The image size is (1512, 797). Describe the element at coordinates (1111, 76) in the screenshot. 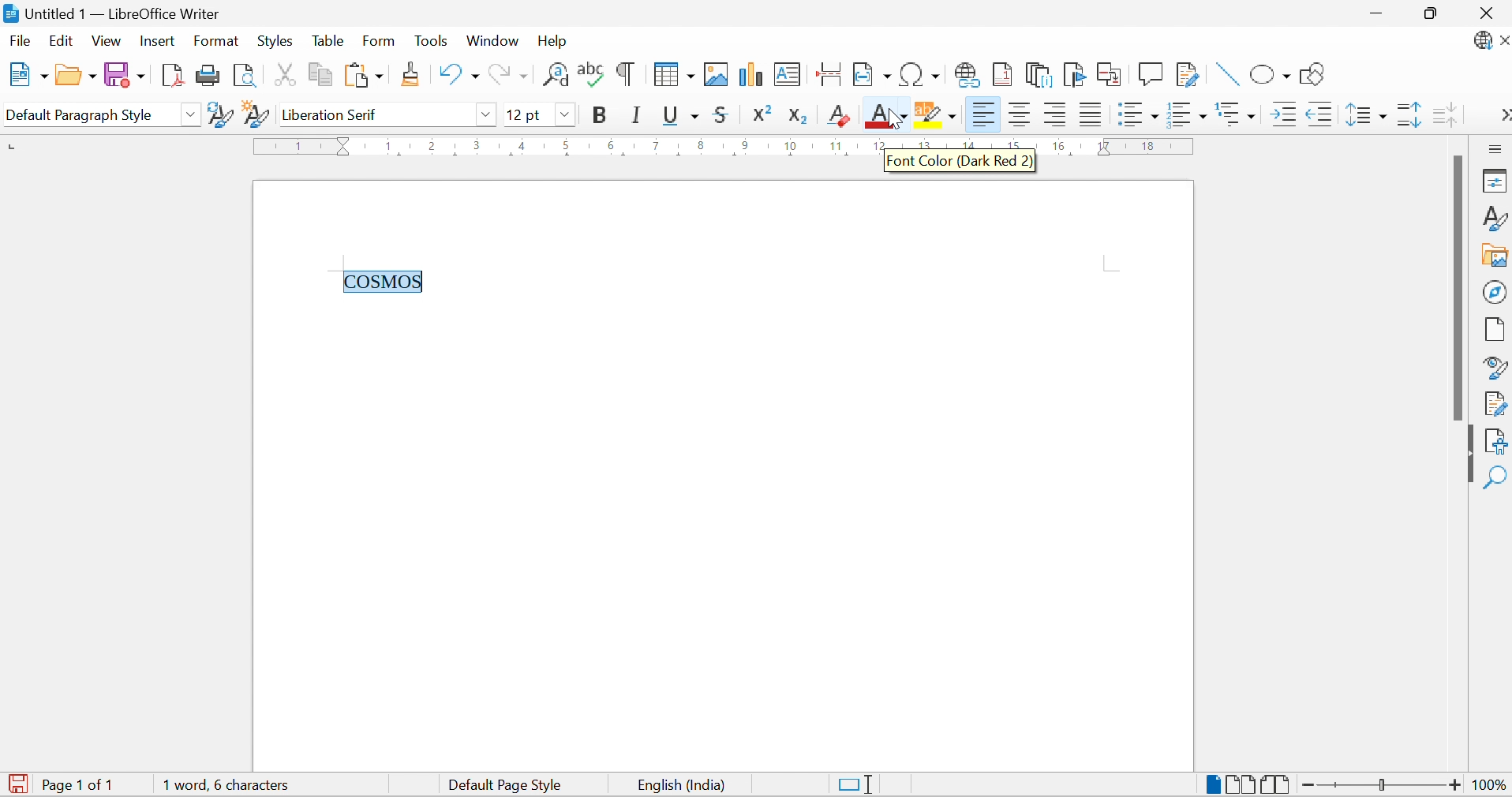

I see `Insert Cross-reference` at that location.